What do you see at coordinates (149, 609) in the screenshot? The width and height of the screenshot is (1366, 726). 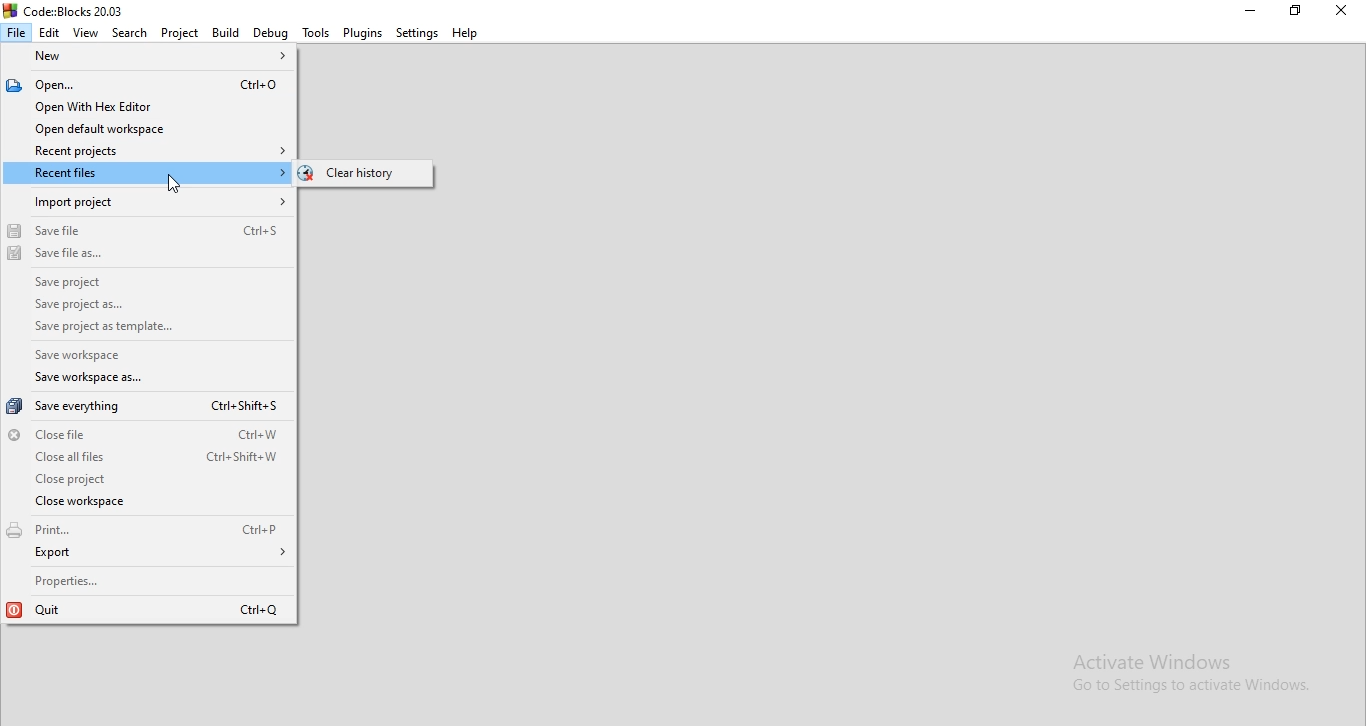 I see `Quit` at bounding box center [149, 609].